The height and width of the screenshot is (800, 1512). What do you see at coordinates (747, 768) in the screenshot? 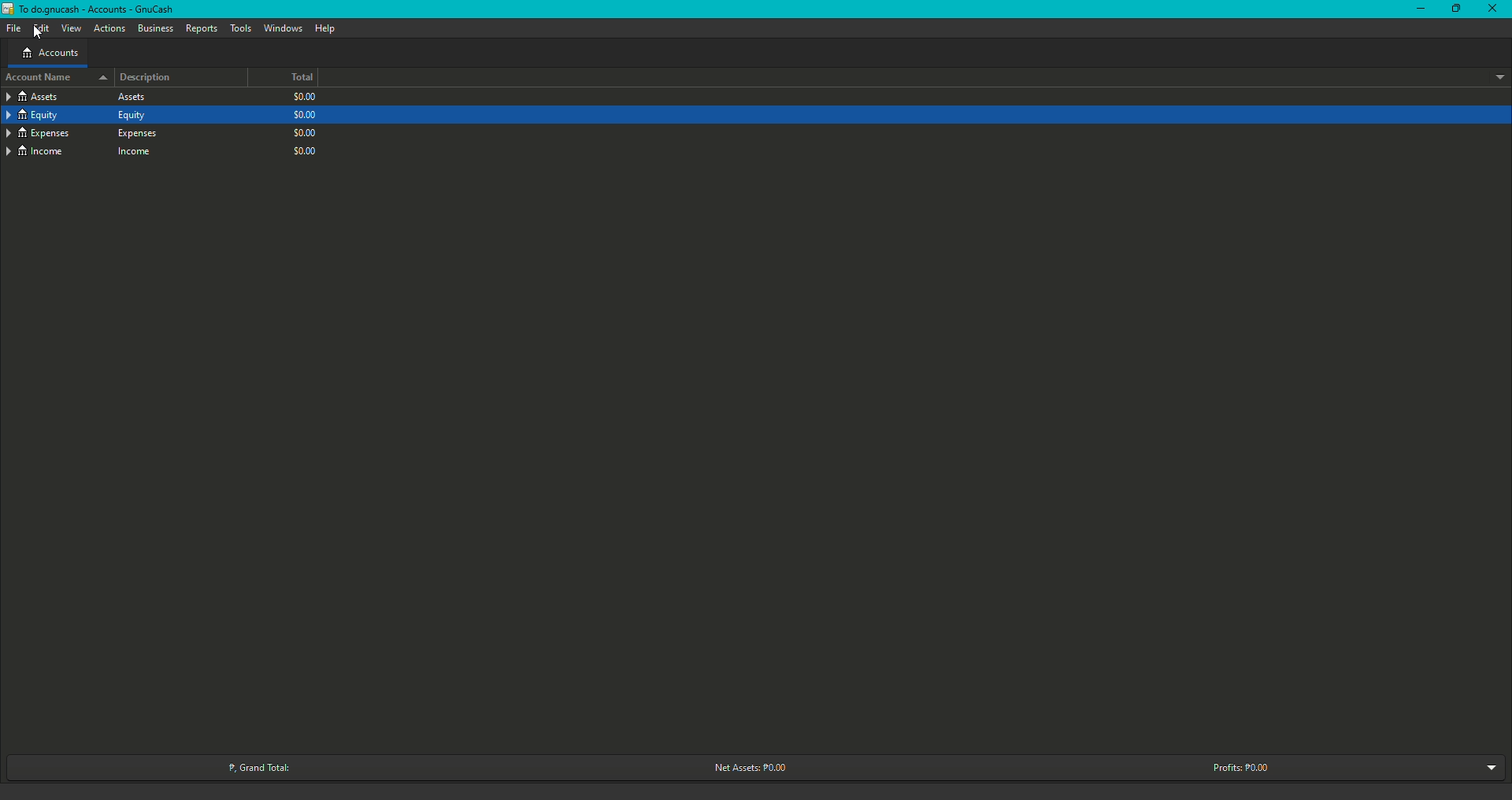
I see `Net Assets` at bounding box center [747, 768].